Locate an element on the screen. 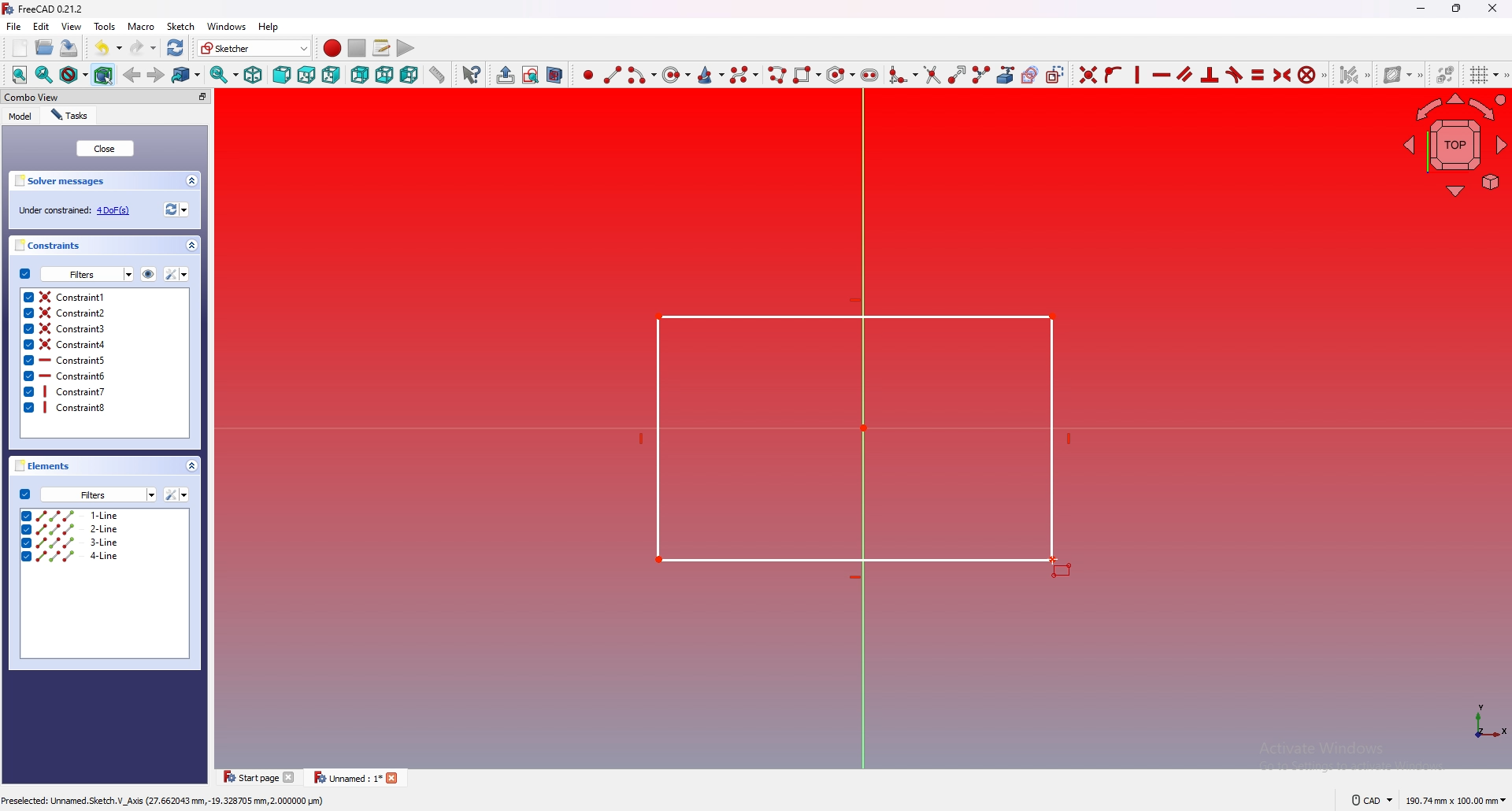 The image size is (1512, 811). constraint horizontally is located at coordinates (1138, 74).